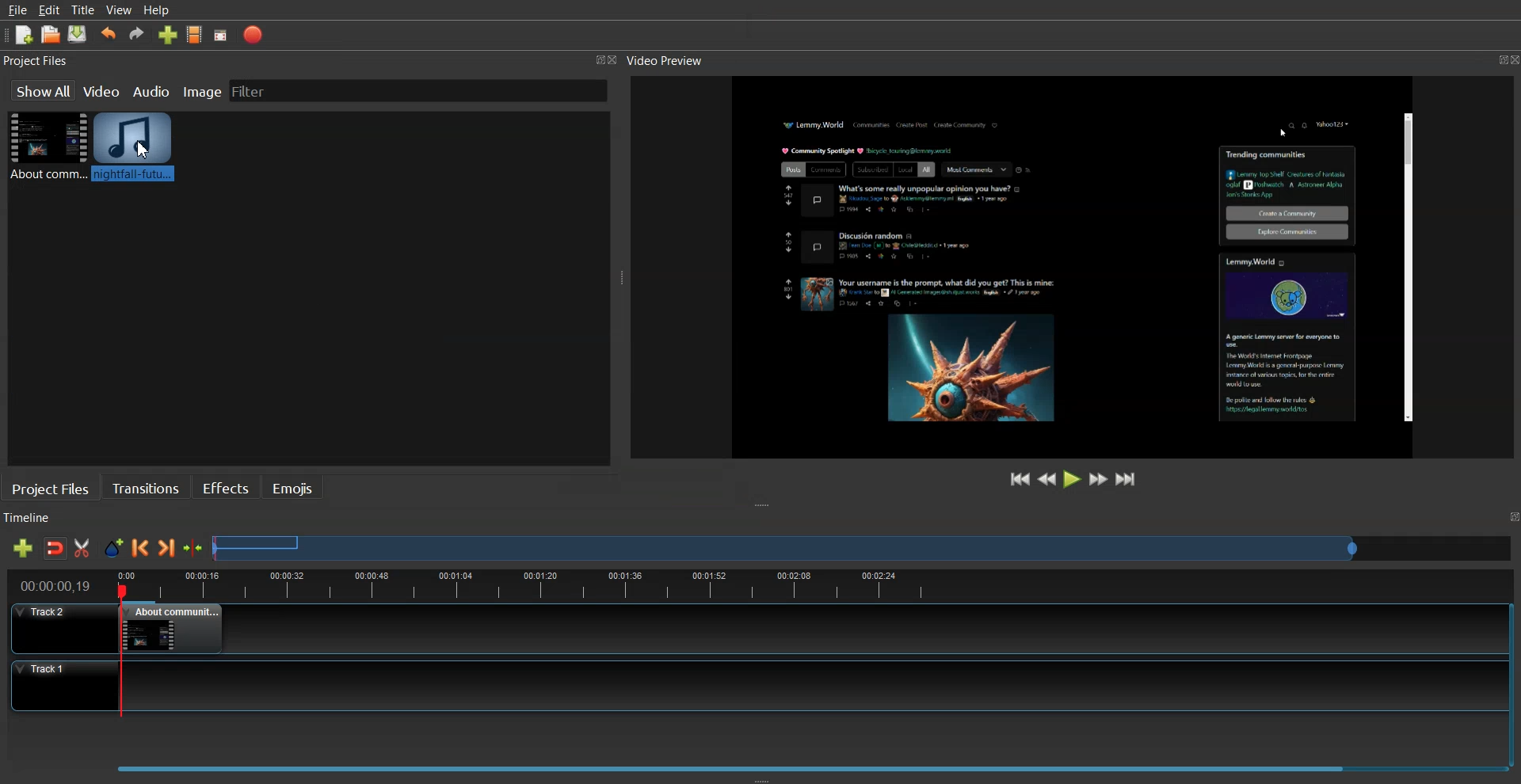  What do you see at coordinates (195, 34) in the screenshot?
I see `Choose Profile` at bounding box center [195, 34].